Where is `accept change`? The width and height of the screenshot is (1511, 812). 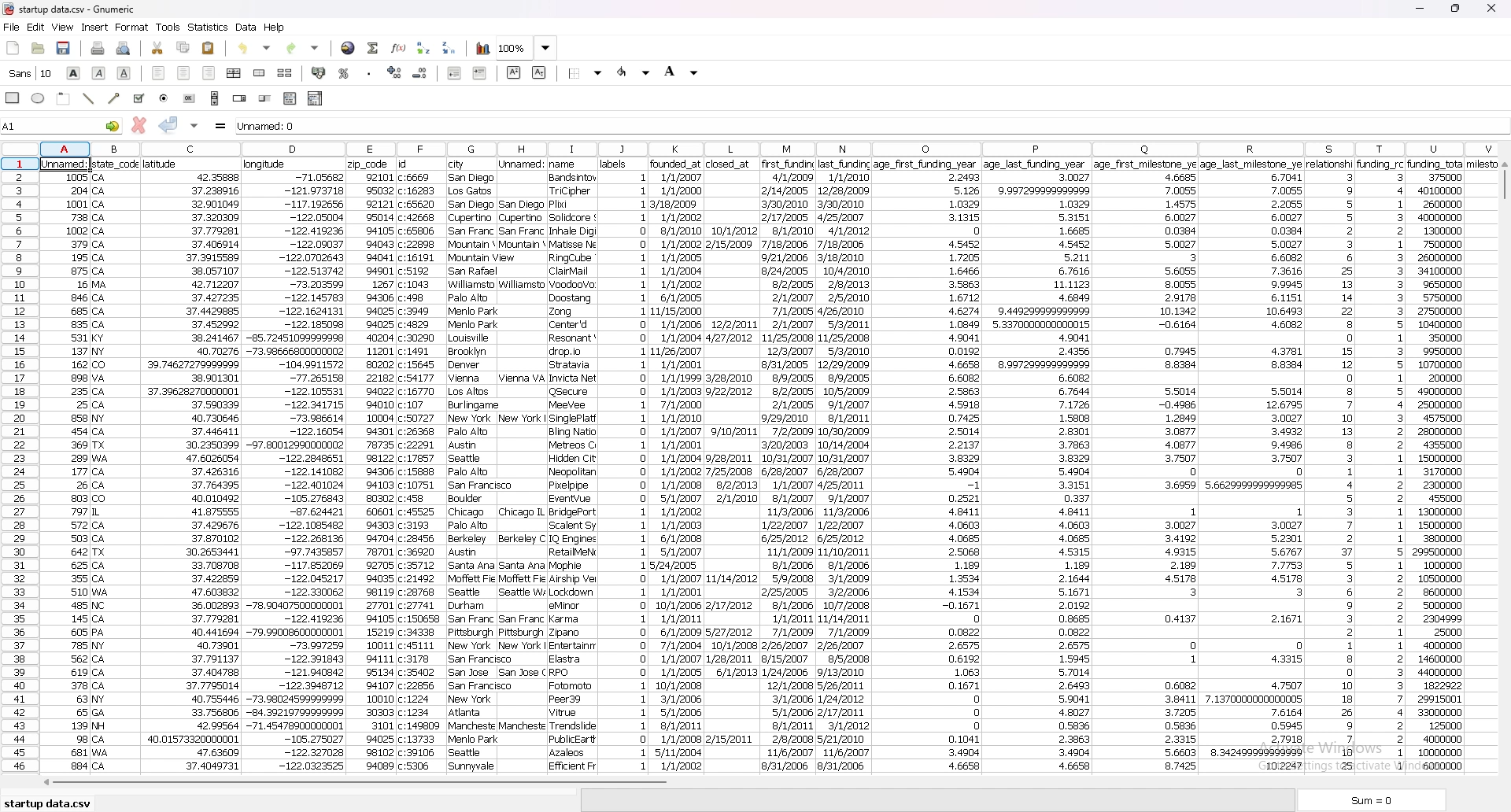
accept change is located at coordinates (168, 124).